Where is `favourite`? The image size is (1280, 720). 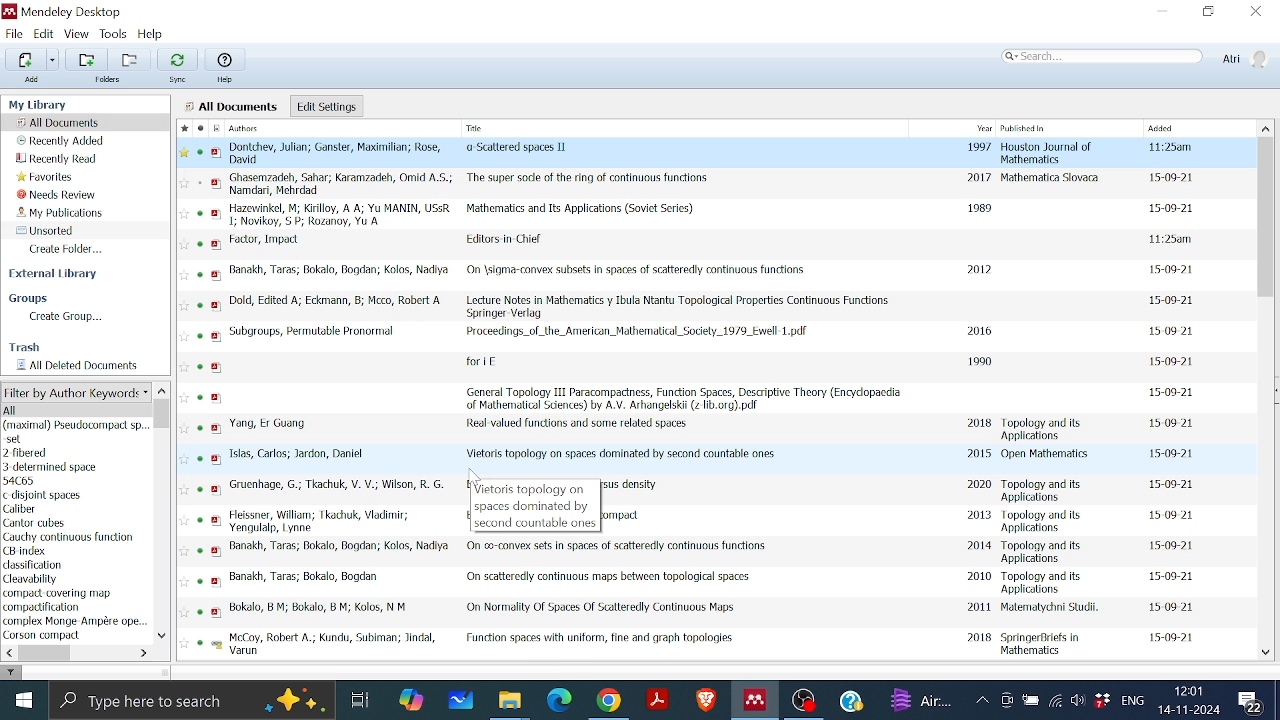
favourite is located at coordinates (184, 337).